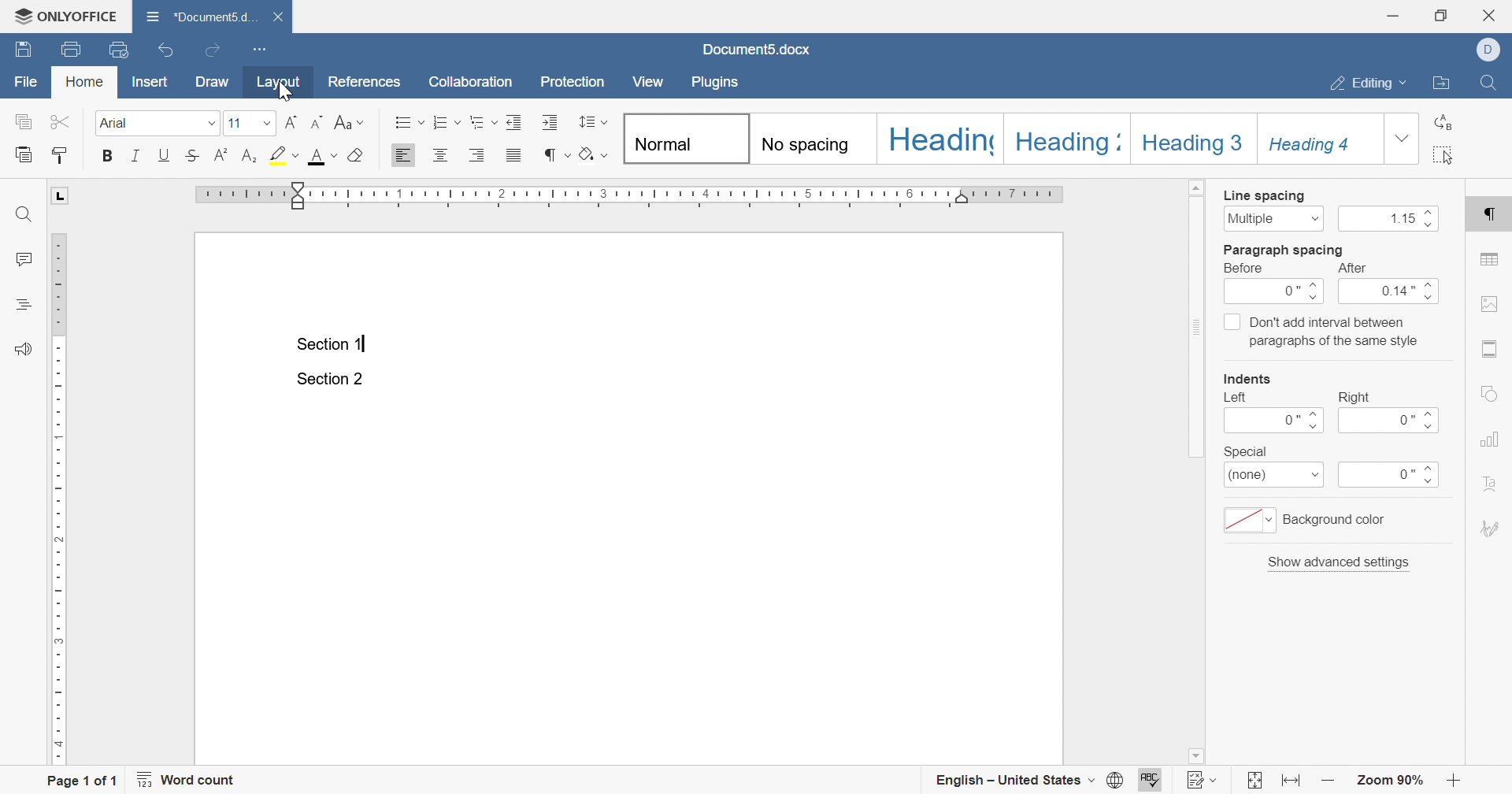  I want to click on multilevel list, so click(482, 122).